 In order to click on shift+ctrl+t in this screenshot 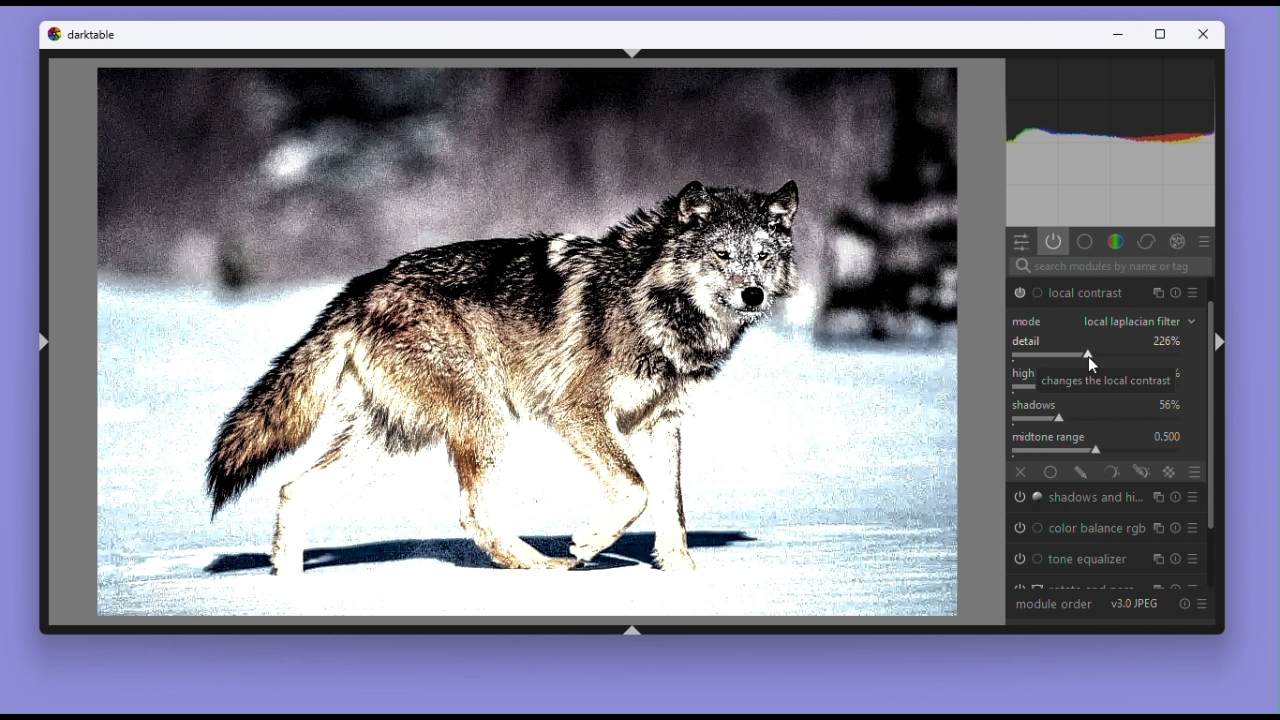, I will do `click(635, 53)`.